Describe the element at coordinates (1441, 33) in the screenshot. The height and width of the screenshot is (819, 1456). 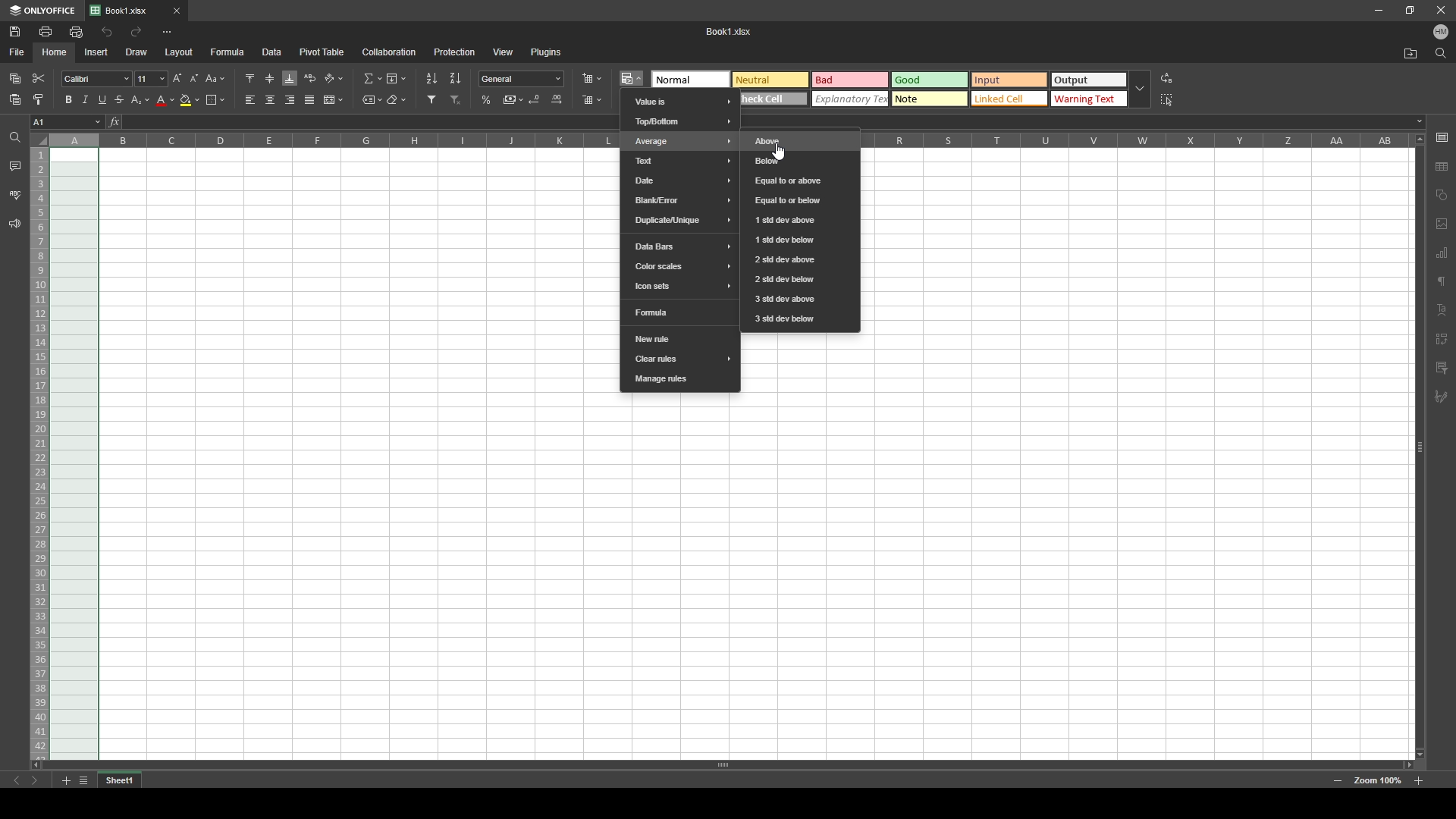
I see `profile` at that location.